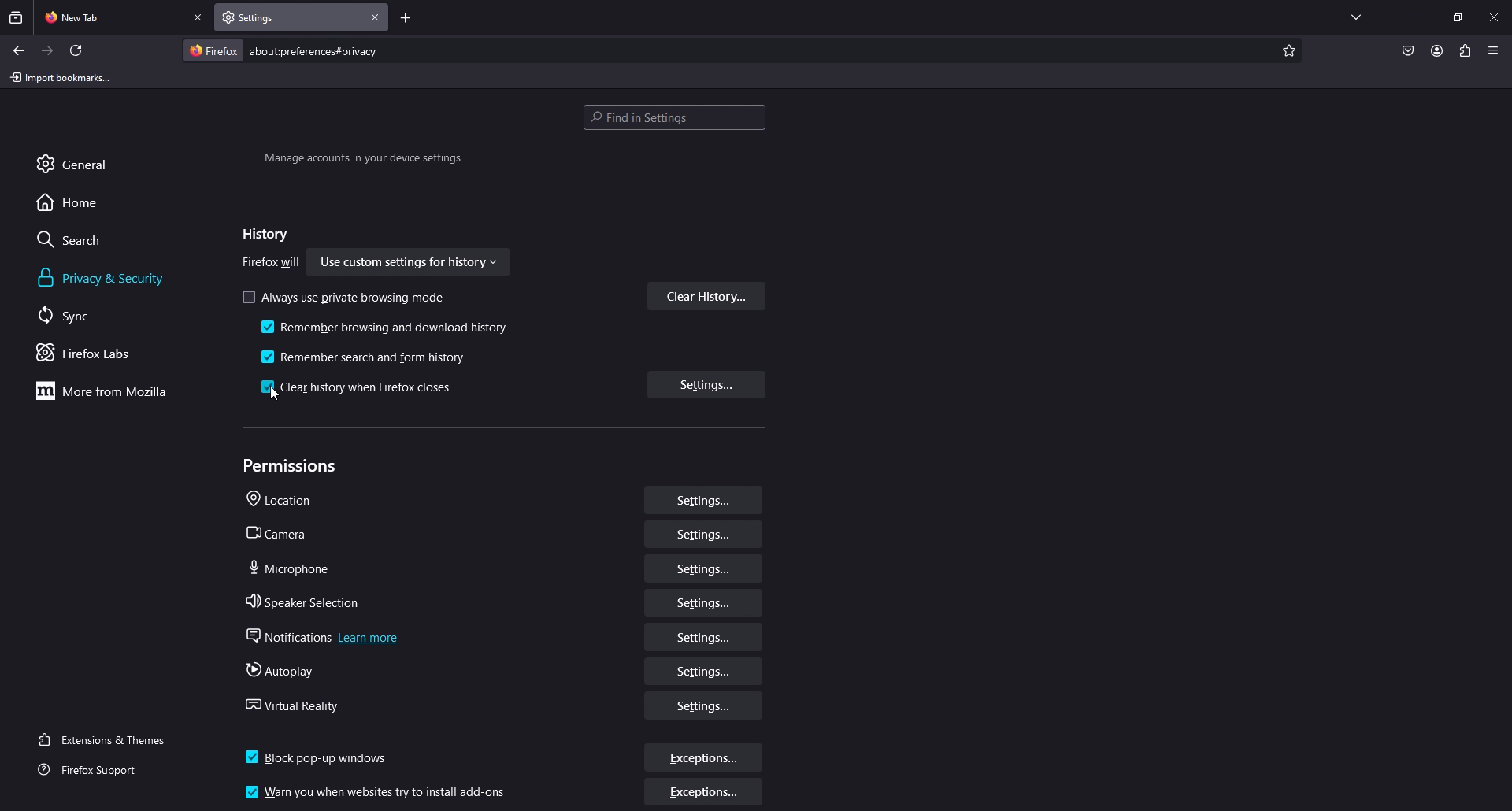 The width and height of the screenshot is (1512, 811). What do you see at coordinates (286, 500) in the screenshot?
I see `location` at bounding box center [286, 500].